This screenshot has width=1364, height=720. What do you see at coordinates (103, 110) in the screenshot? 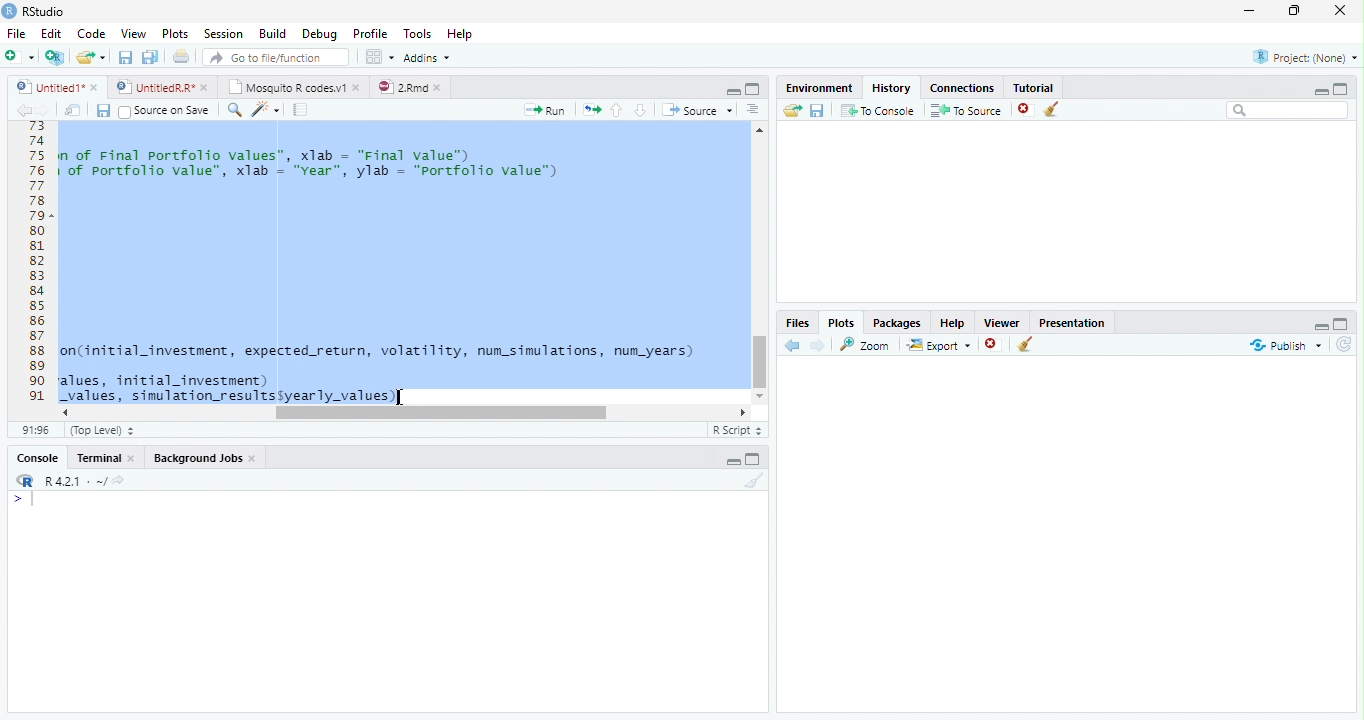
I see `Save` at bounding box center [103, 110].